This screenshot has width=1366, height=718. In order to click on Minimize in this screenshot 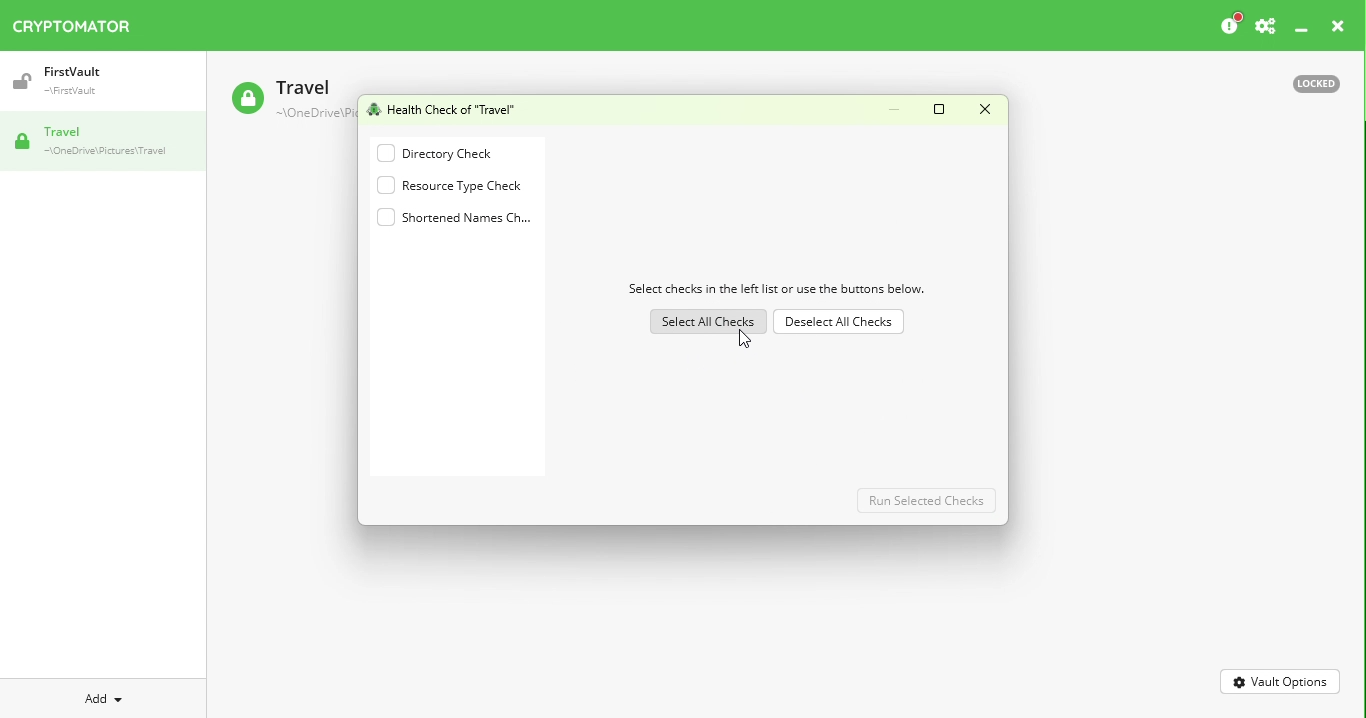, I will do `click(1303, 30)`.